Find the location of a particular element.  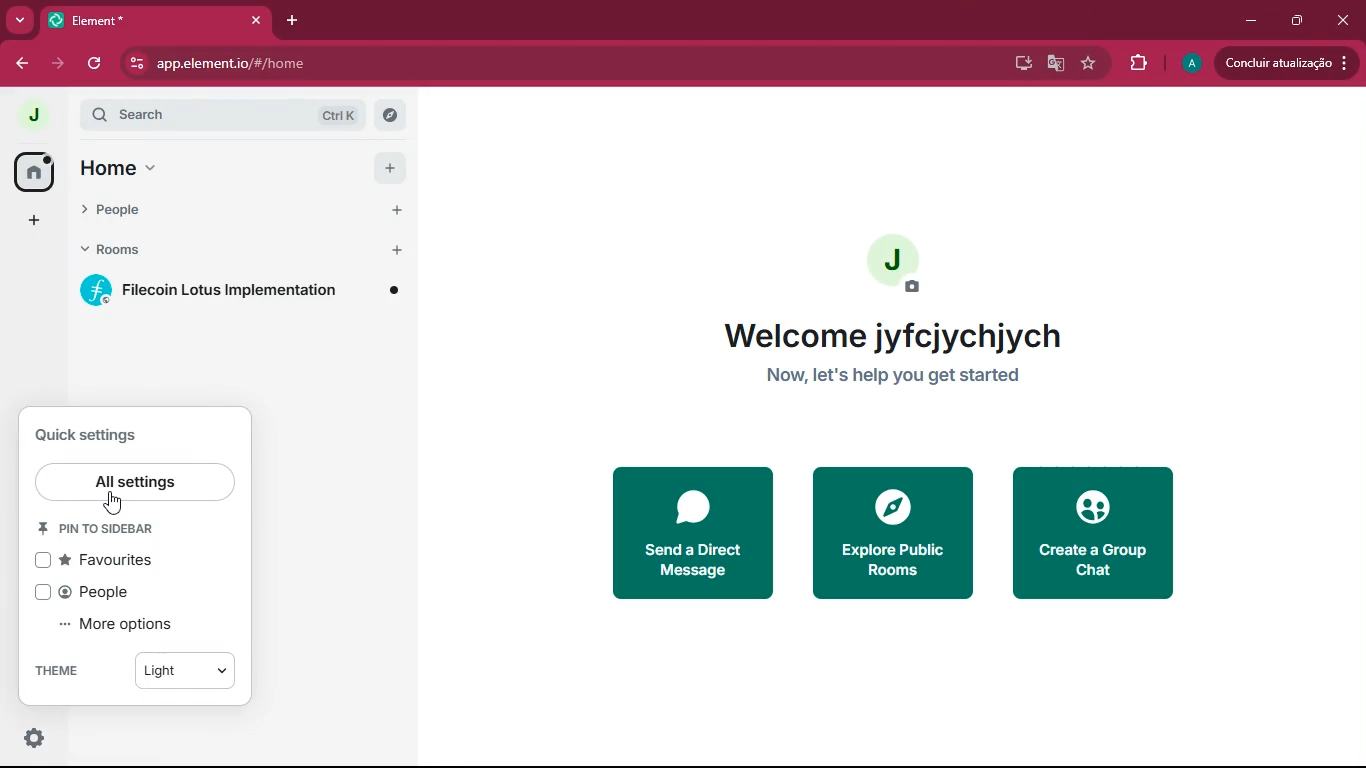

add is located at coordinates (37, 221).